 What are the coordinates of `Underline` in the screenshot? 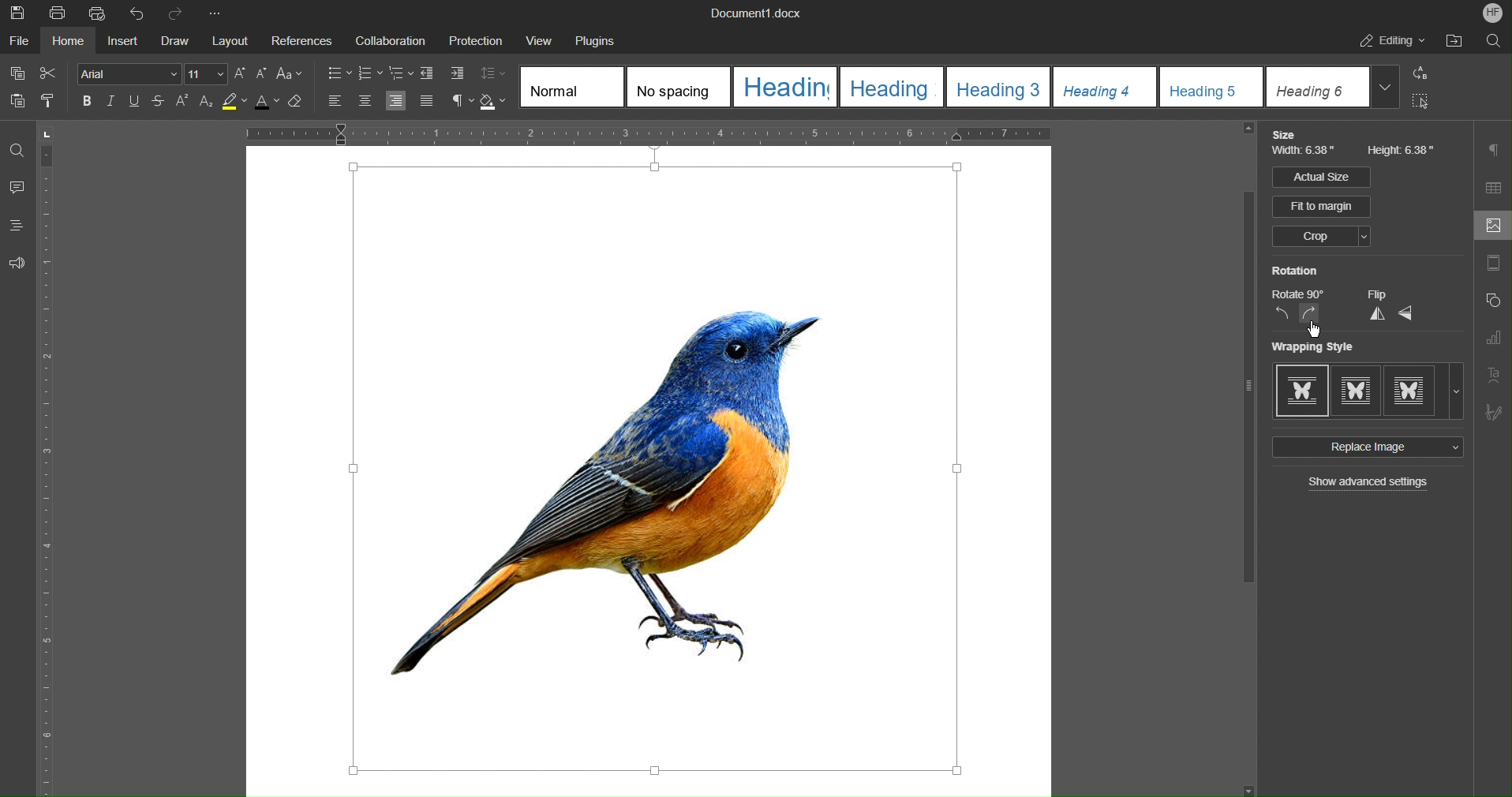 It's located at (135, 102).